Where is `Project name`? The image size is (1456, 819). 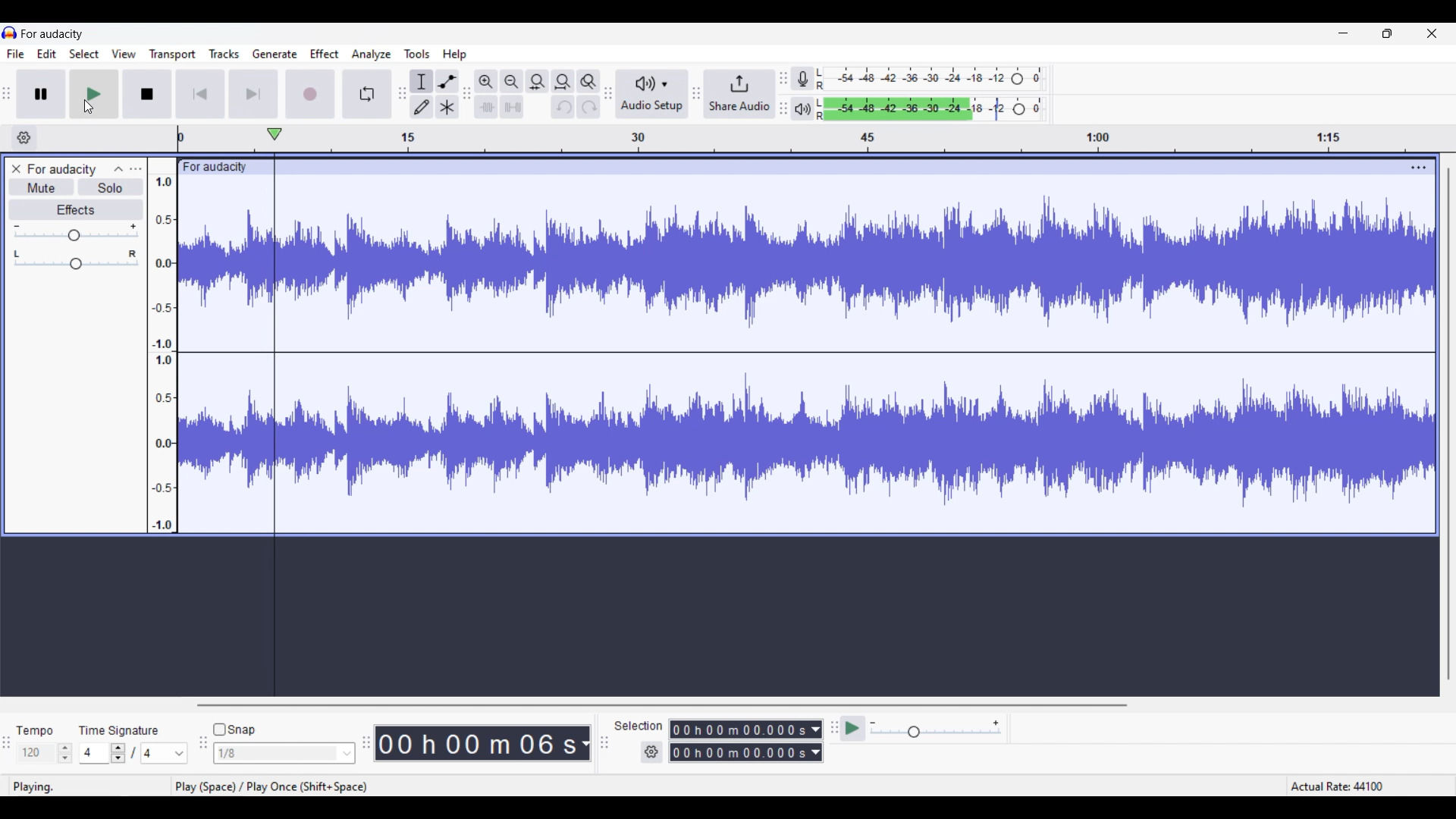 Project name is located at coordinates (62, 170).